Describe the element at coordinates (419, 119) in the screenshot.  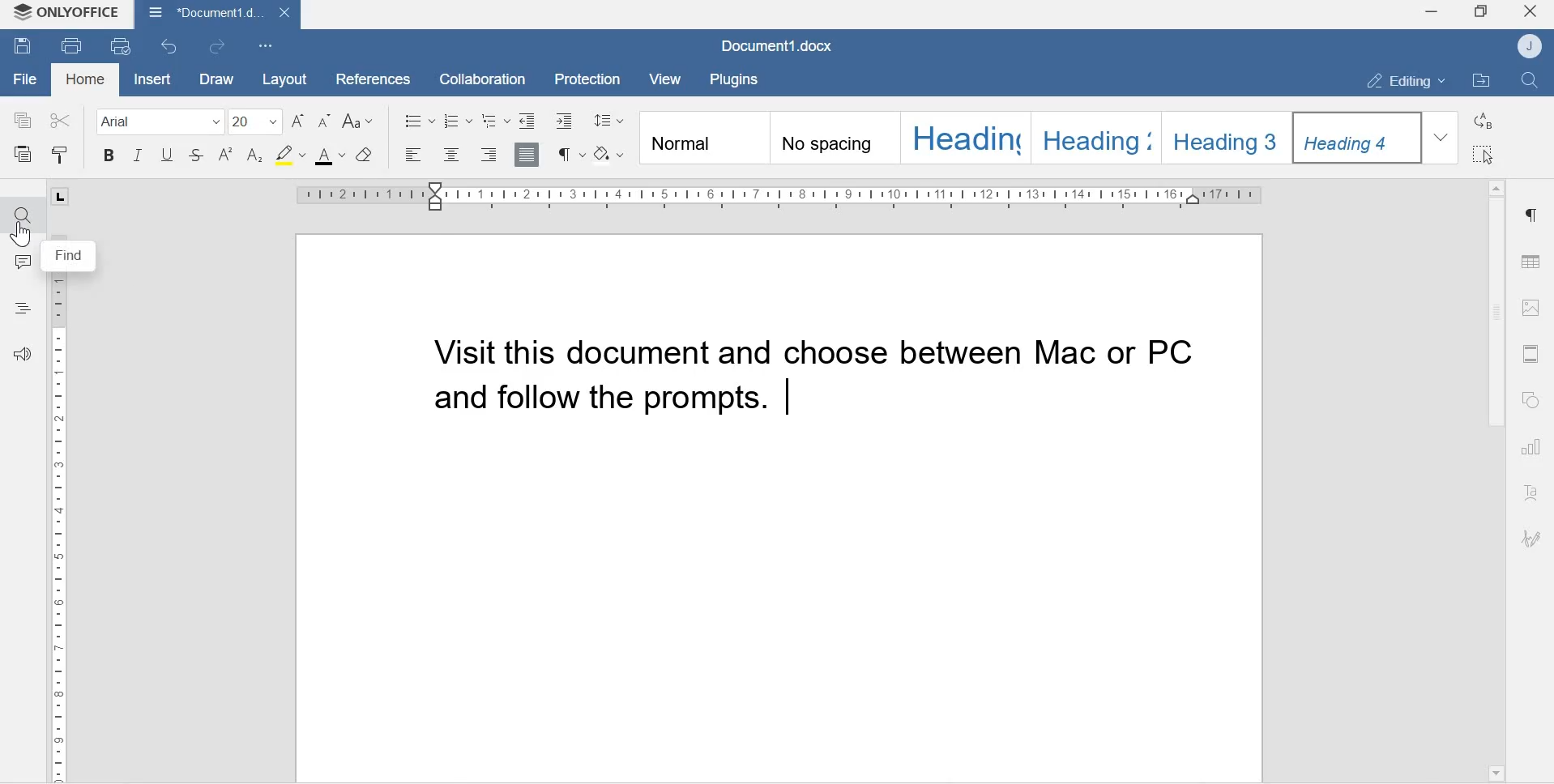
I see `Bullets` at that location.